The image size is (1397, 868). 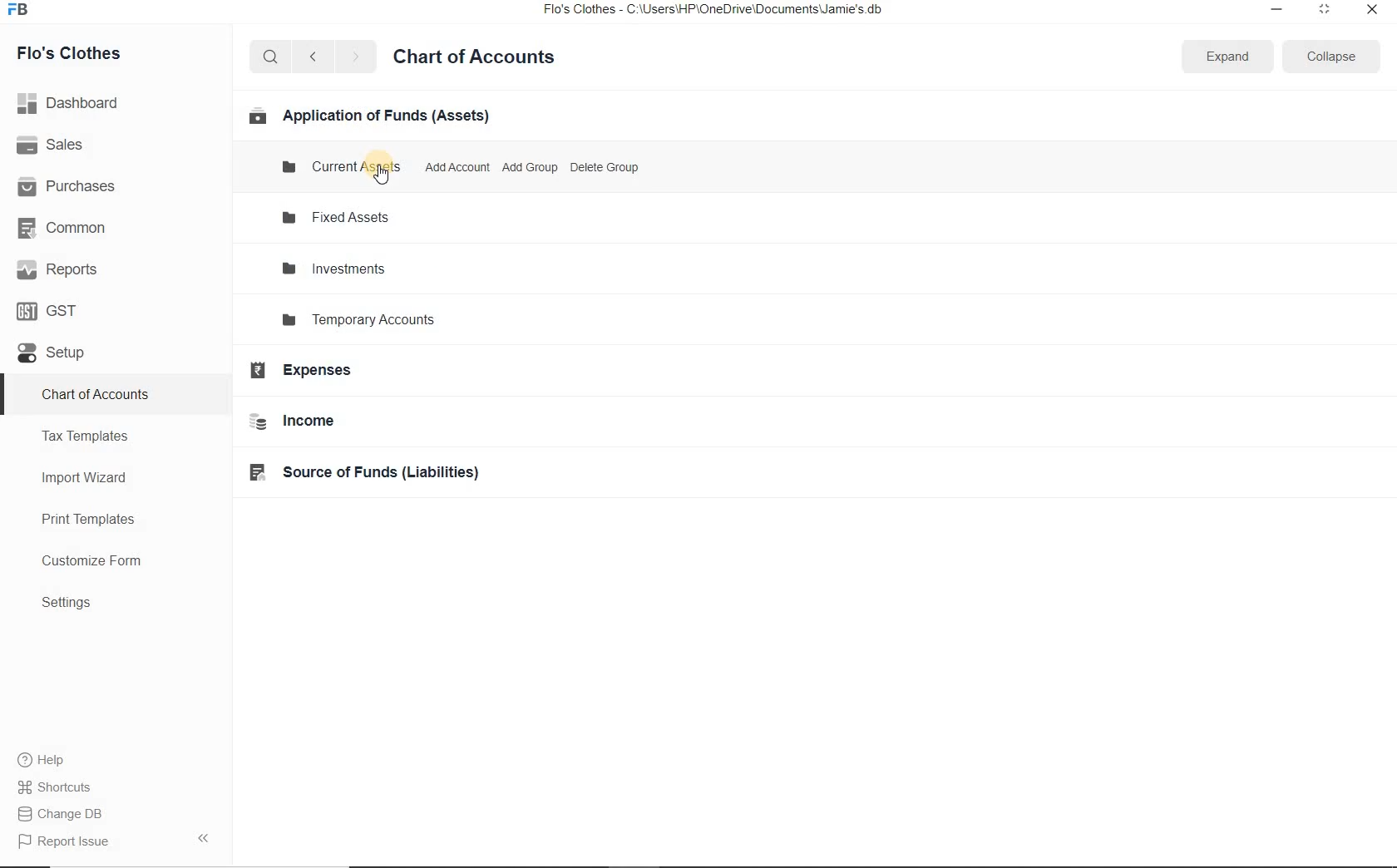 I want to click on Add Account, so click(x=456, y=166).